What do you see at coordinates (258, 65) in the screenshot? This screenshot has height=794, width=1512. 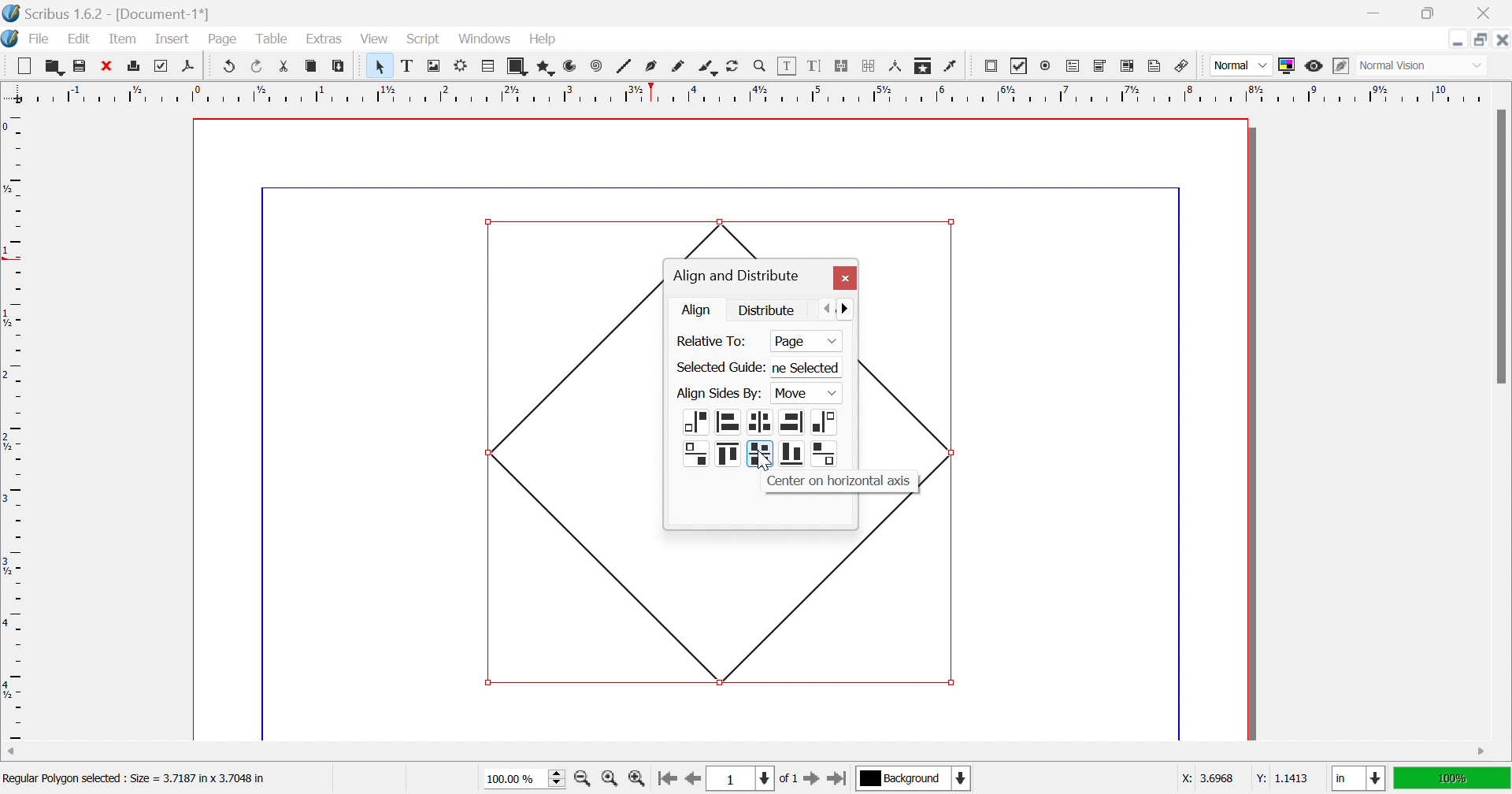 I see `Redo` at bounding box center [258, 65].